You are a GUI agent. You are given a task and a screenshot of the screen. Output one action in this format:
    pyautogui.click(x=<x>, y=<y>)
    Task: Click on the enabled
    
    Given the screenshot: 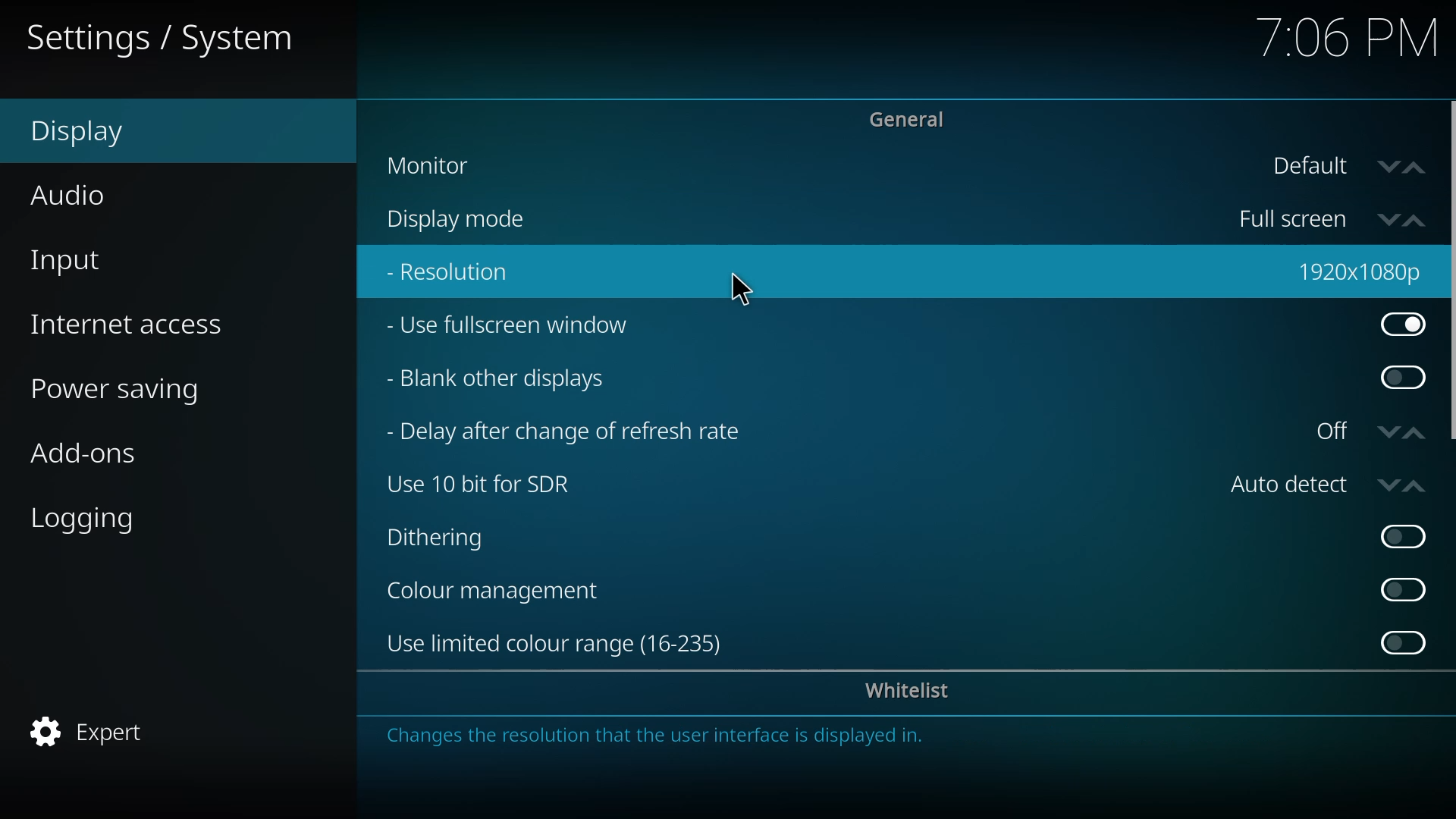 What is the action you would take?
    pyautogui.click(x=1404, y=326)
    